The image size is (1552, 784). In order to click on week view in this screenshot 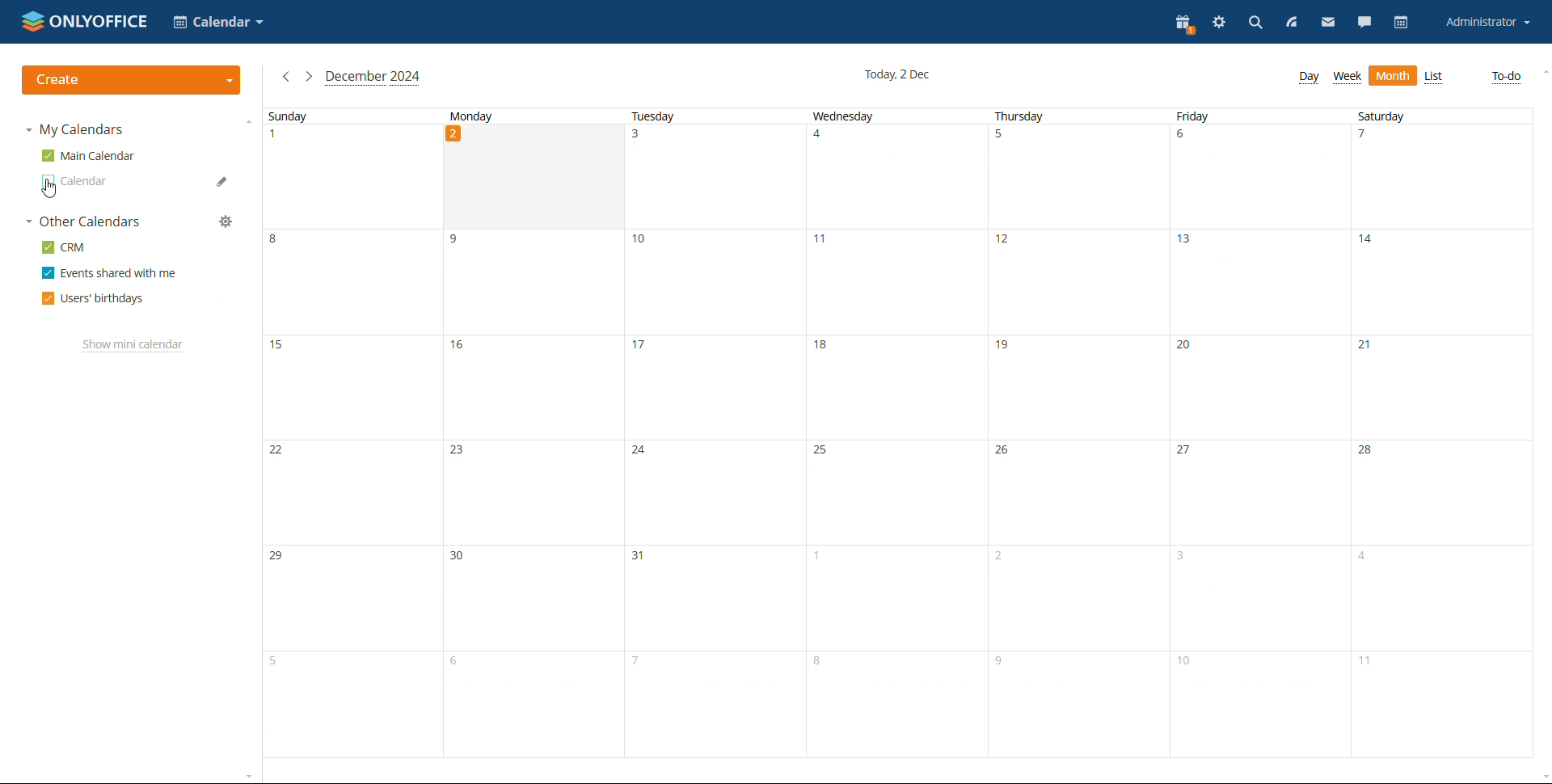, I will do `click(1347, 78)`.